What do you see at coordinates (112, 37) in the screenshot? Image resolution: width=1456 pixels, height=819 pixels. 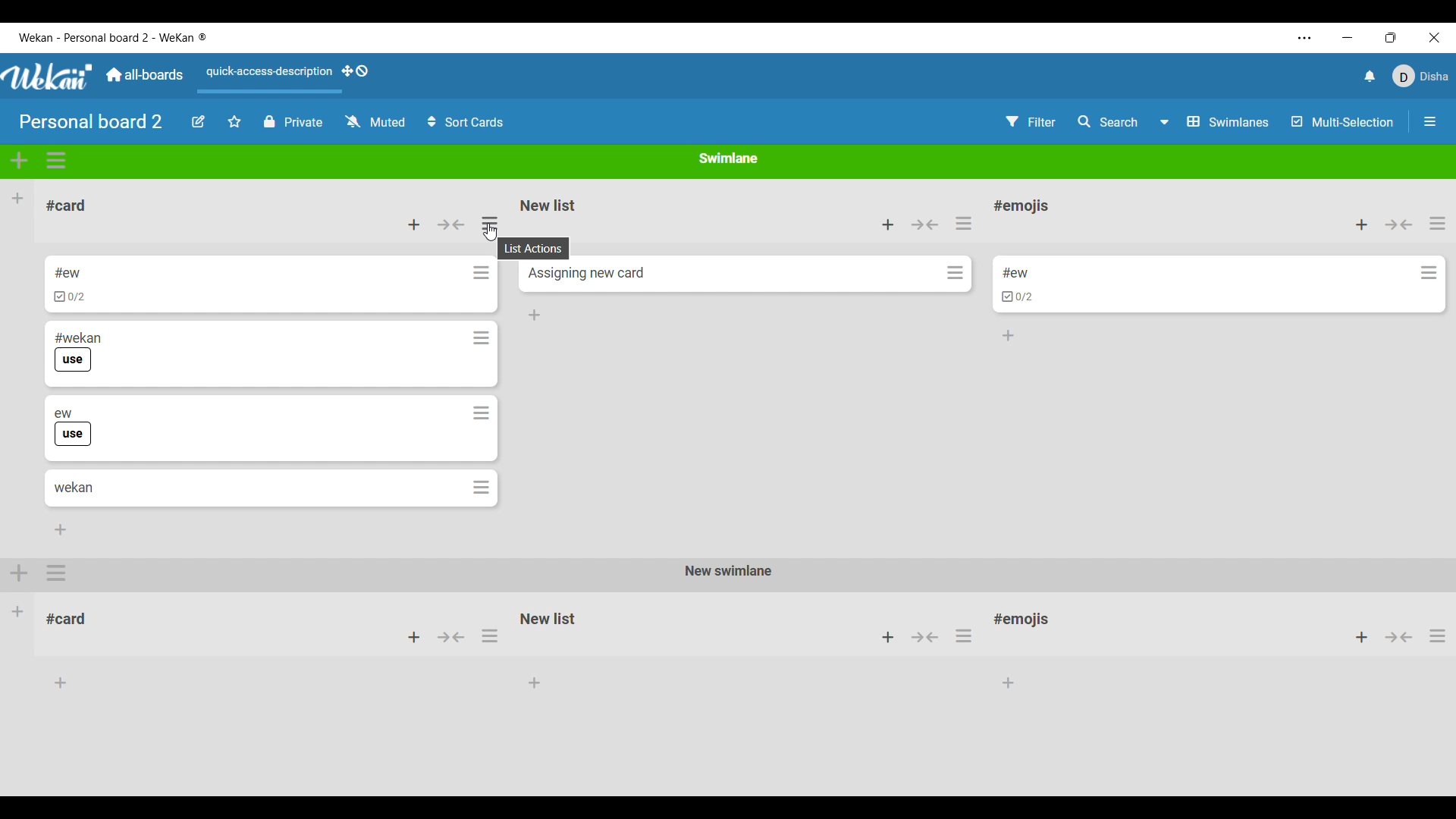 I see `Name of software and current board` at bounding box center [112, 37].